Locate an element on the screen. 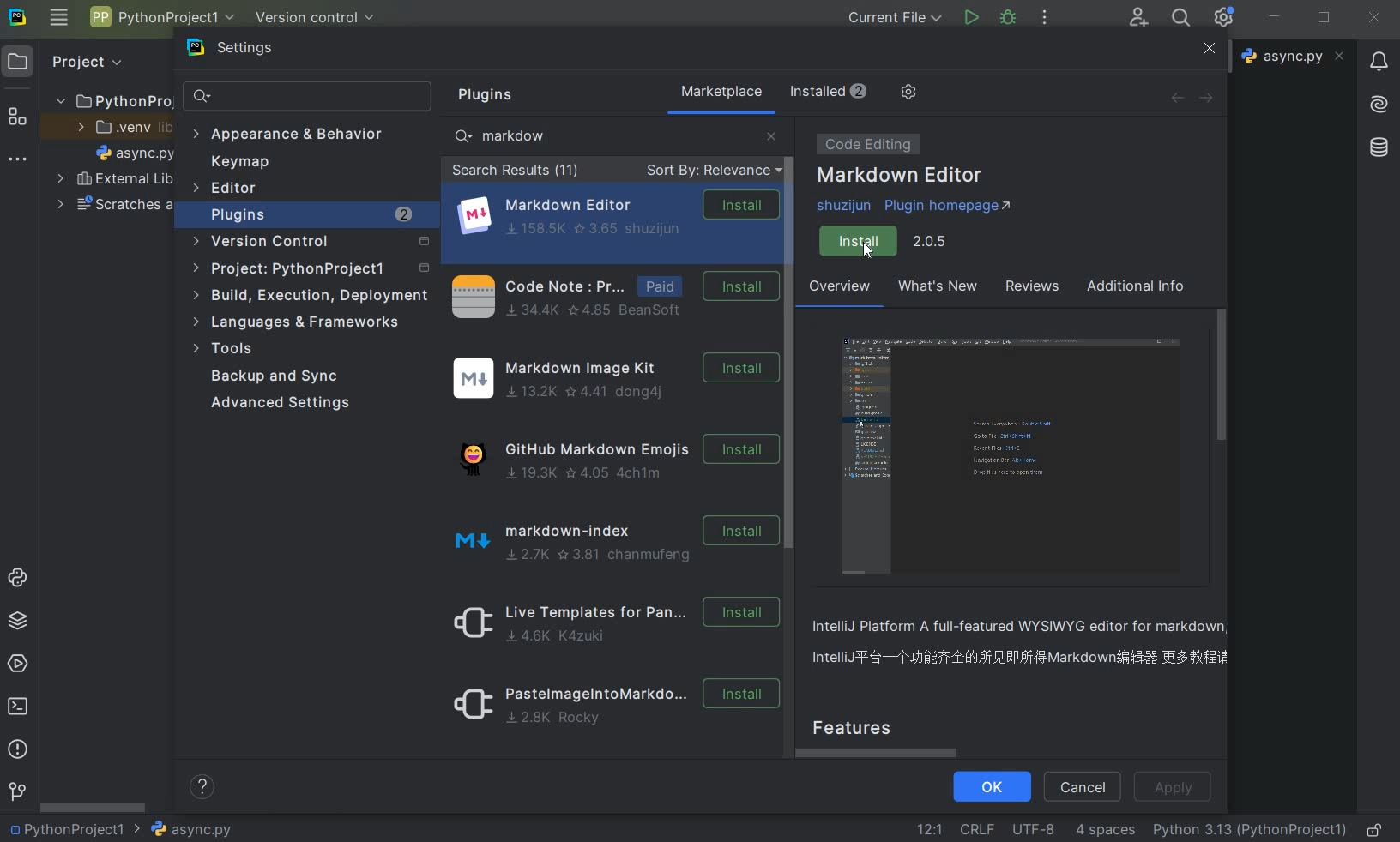  github markdown emojis is located at coordinates (612, 454).